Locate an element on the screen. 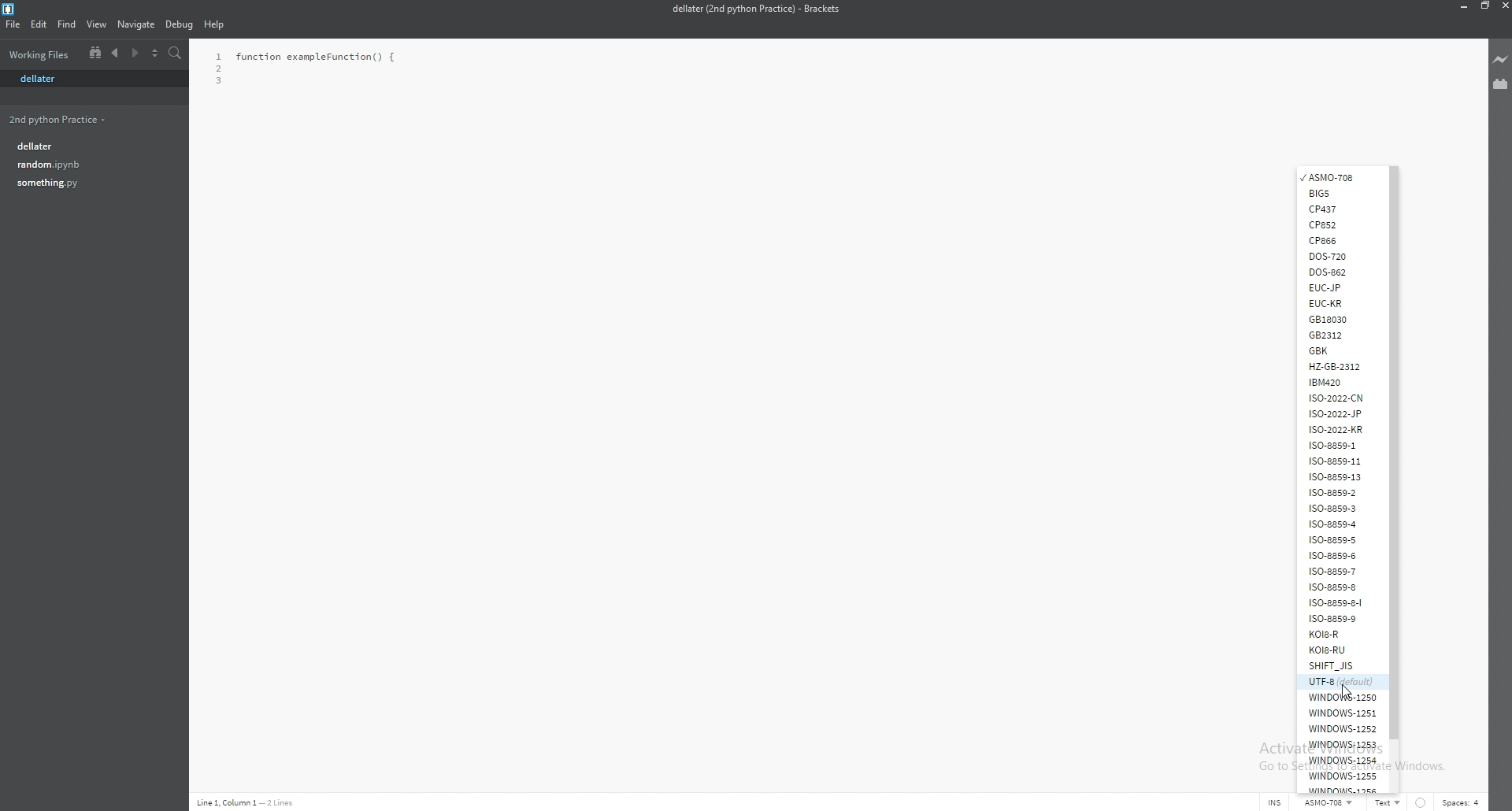  cursor is located at coordinates (1346, 690).